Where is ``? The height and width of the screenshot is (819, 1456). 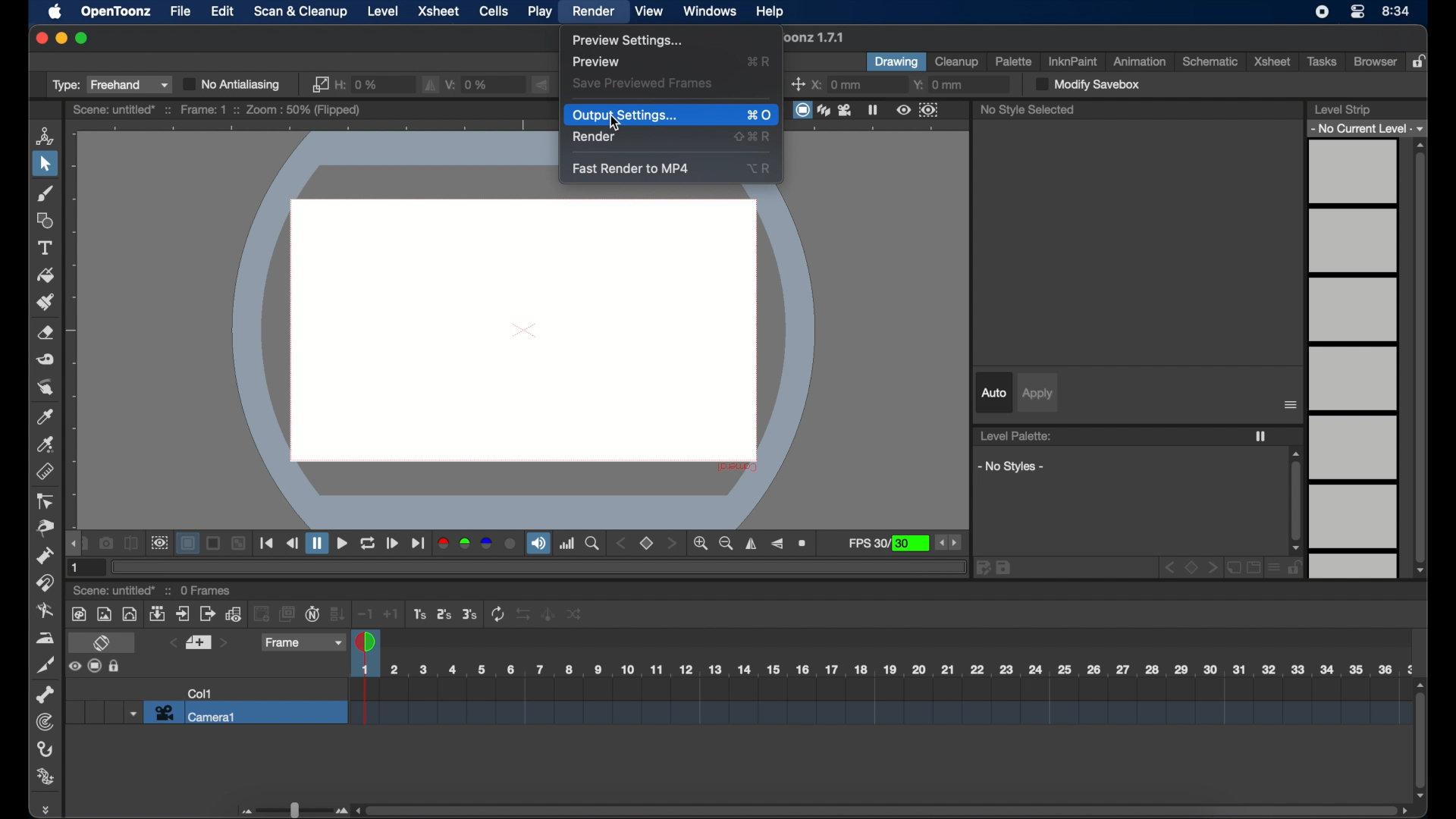
 is located at coordinates (1277, 569).